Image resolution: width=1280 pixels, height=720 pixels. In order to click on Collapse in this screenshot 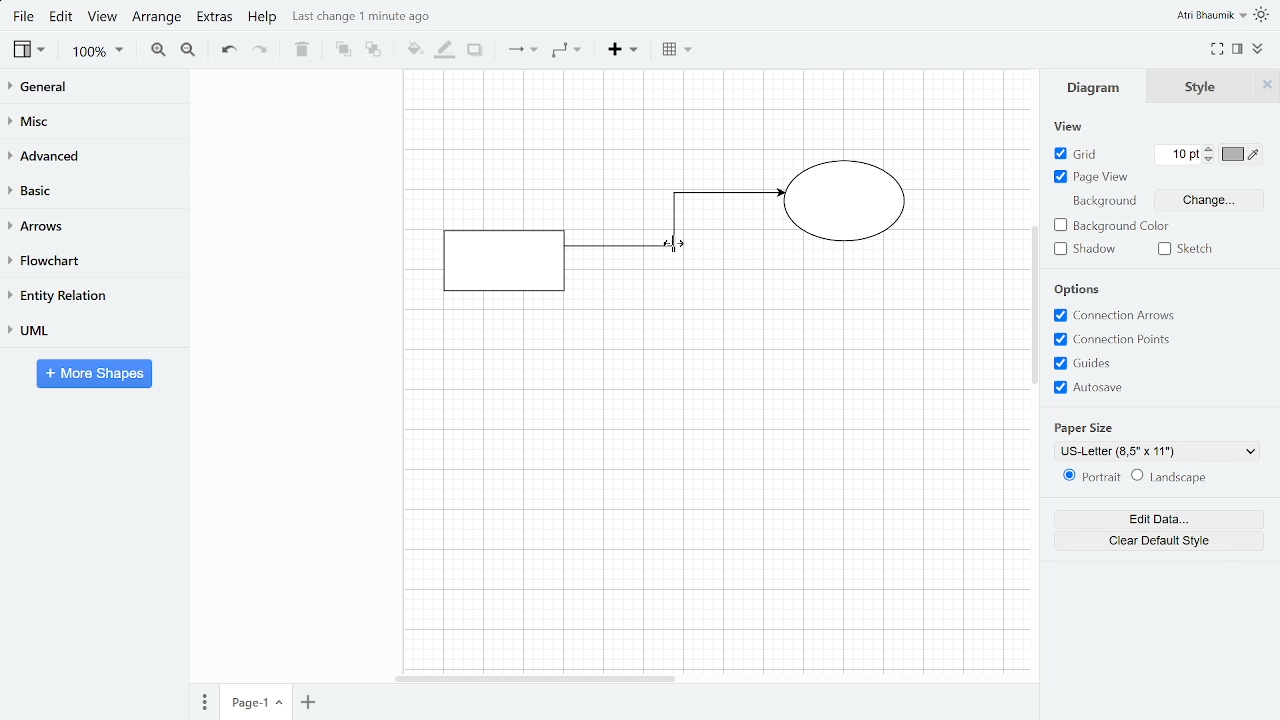, I will do `click(1258, 49)`.